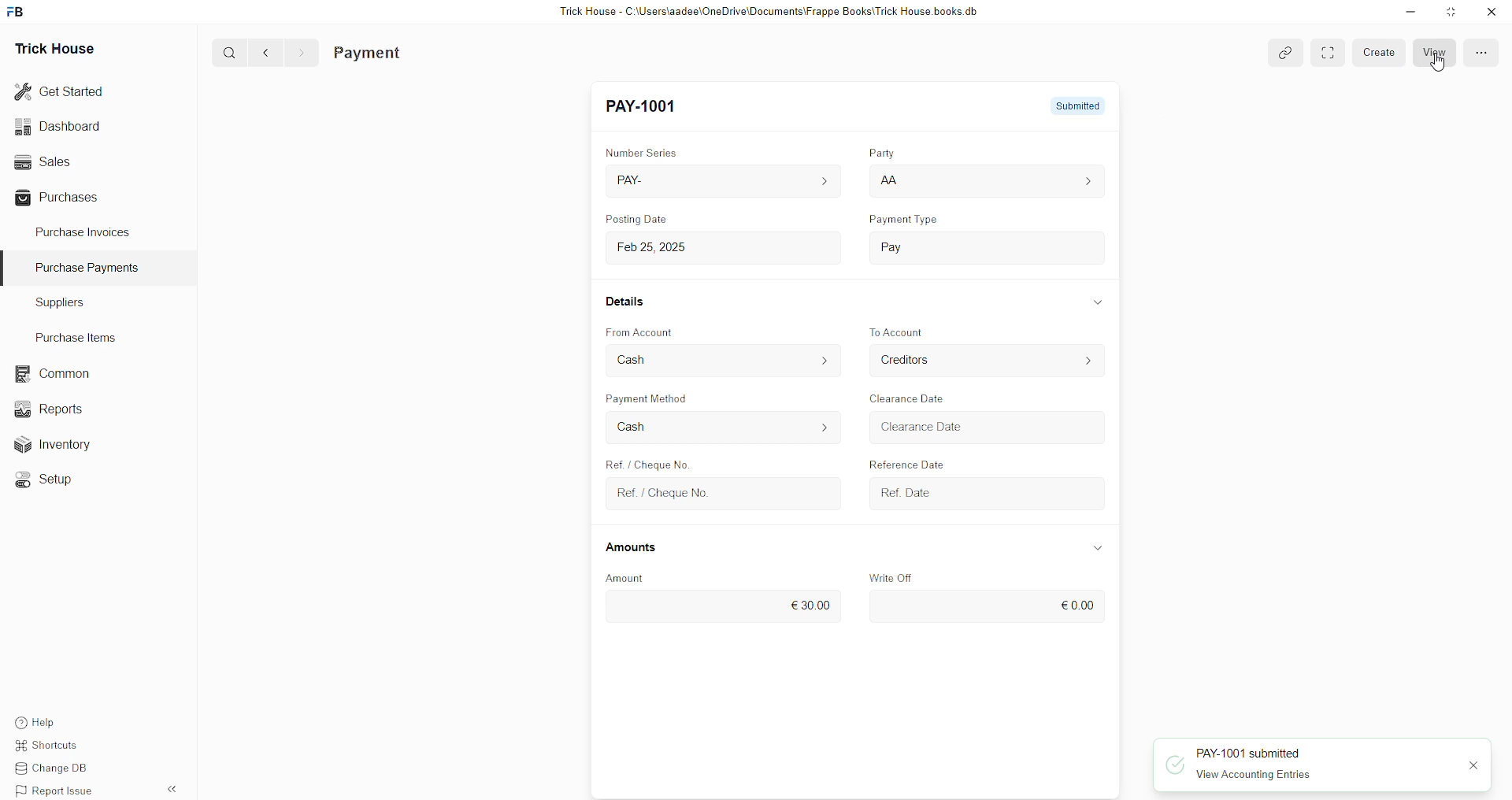  Describe the element at coordinates (59, 791) in the screenshot. I see `Report Issue` at that location.